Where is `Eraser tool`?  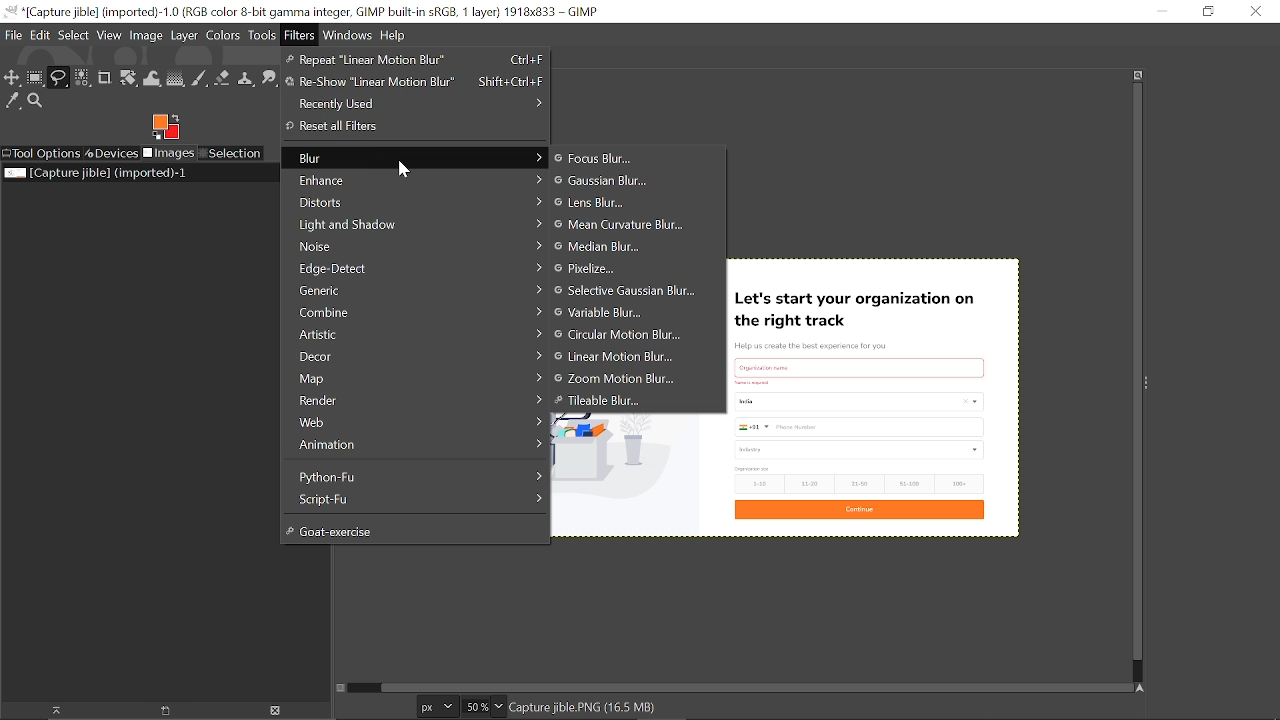
Eraser tool is located at coordinates (222, 78).